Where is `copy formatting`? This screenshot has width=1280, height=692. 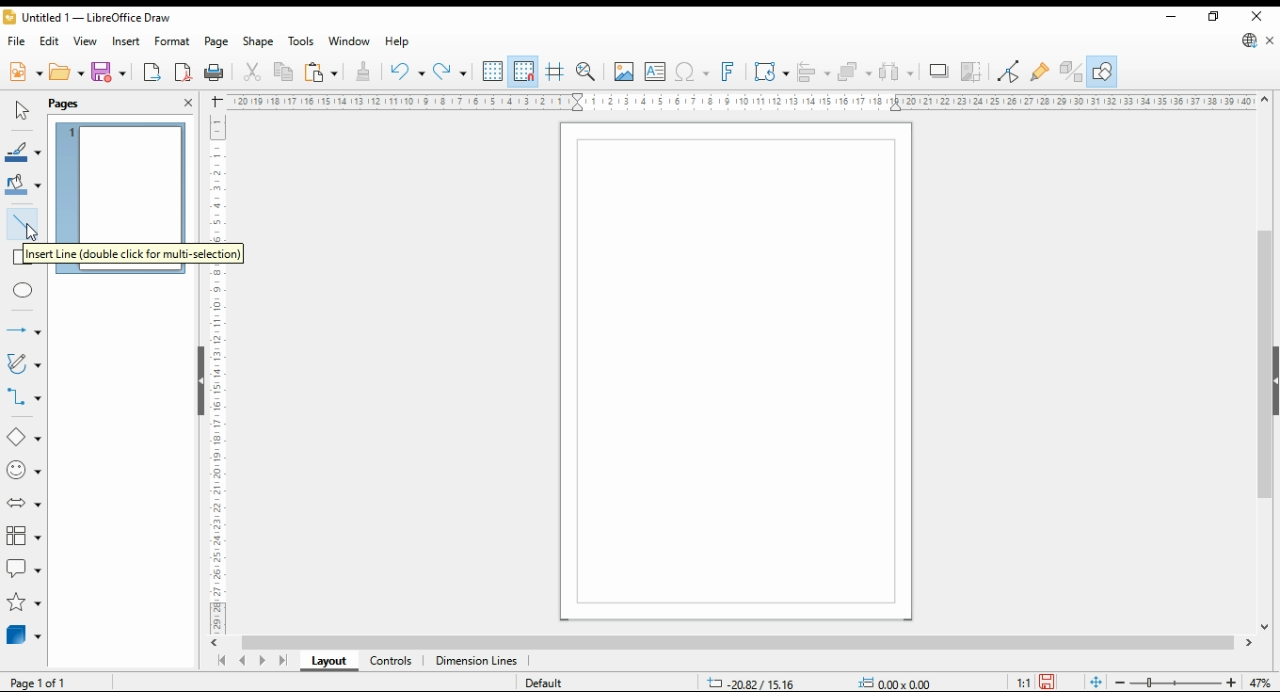
copy formatting is located at coordinates (364, 72).